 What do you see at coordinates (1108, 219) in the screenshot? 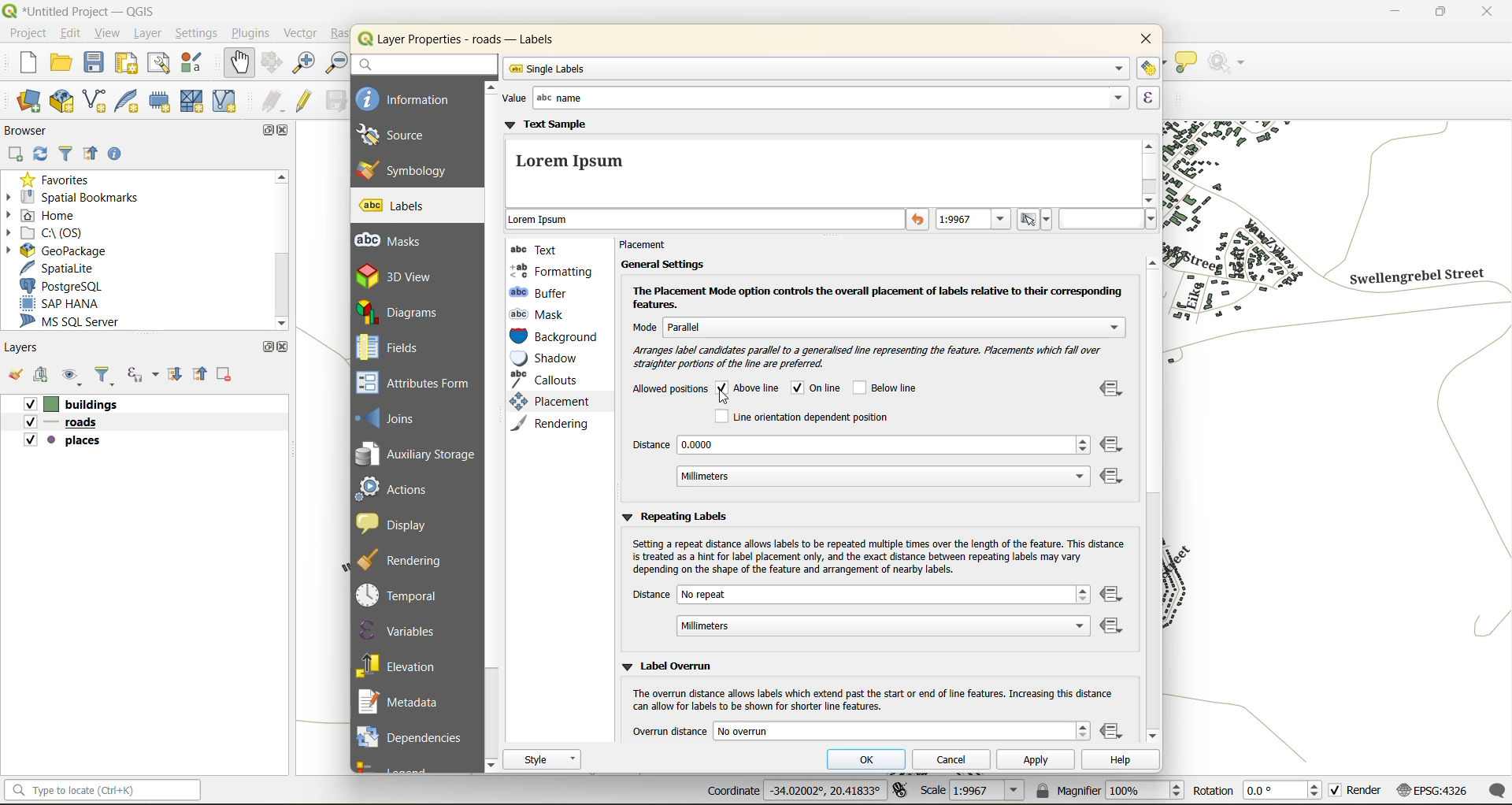
I see `hex` at bounding box center [1108, 219].